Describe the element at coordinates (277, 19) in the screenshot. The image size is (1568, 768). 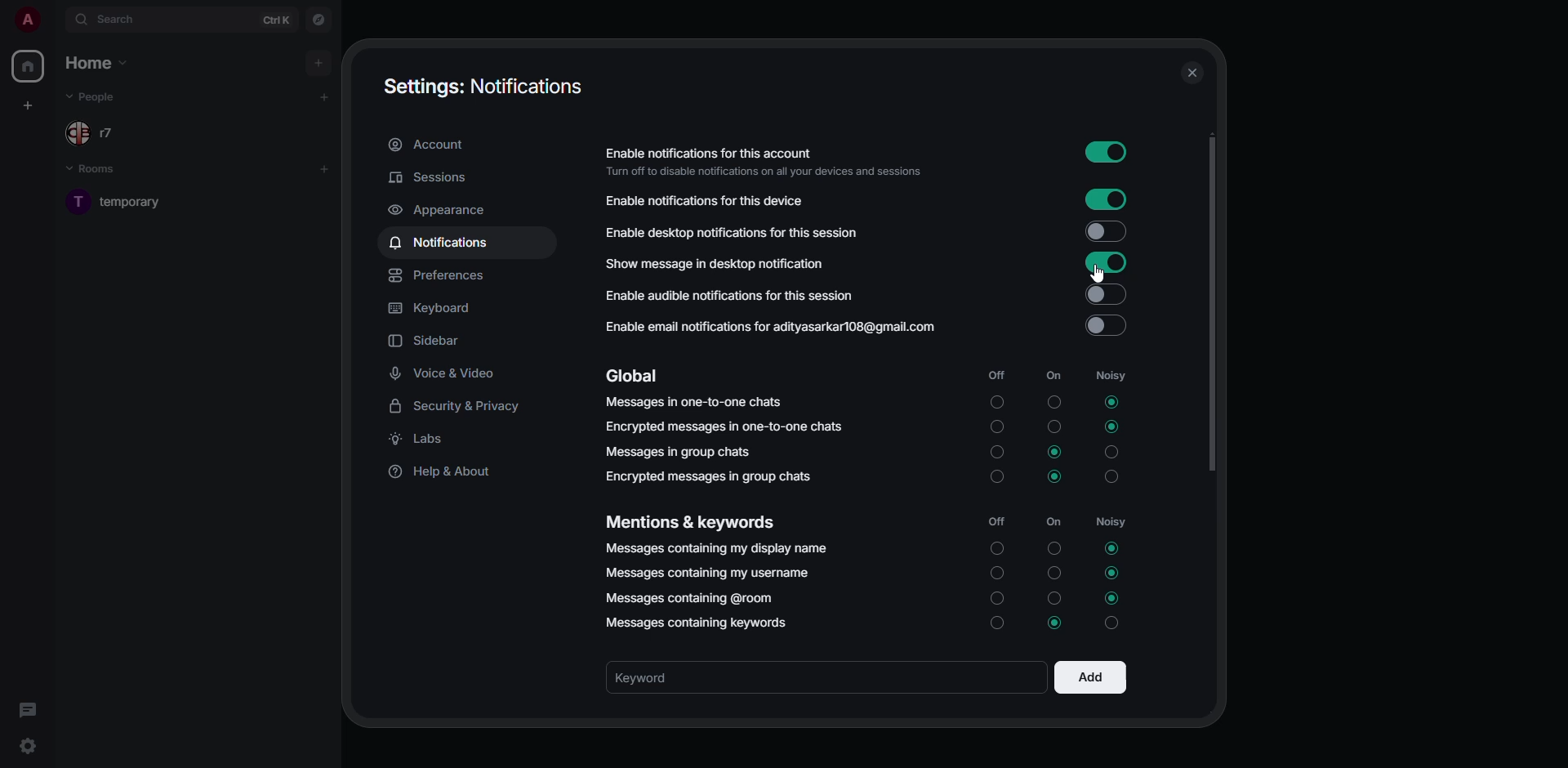
I see `ctrl K` at that location.